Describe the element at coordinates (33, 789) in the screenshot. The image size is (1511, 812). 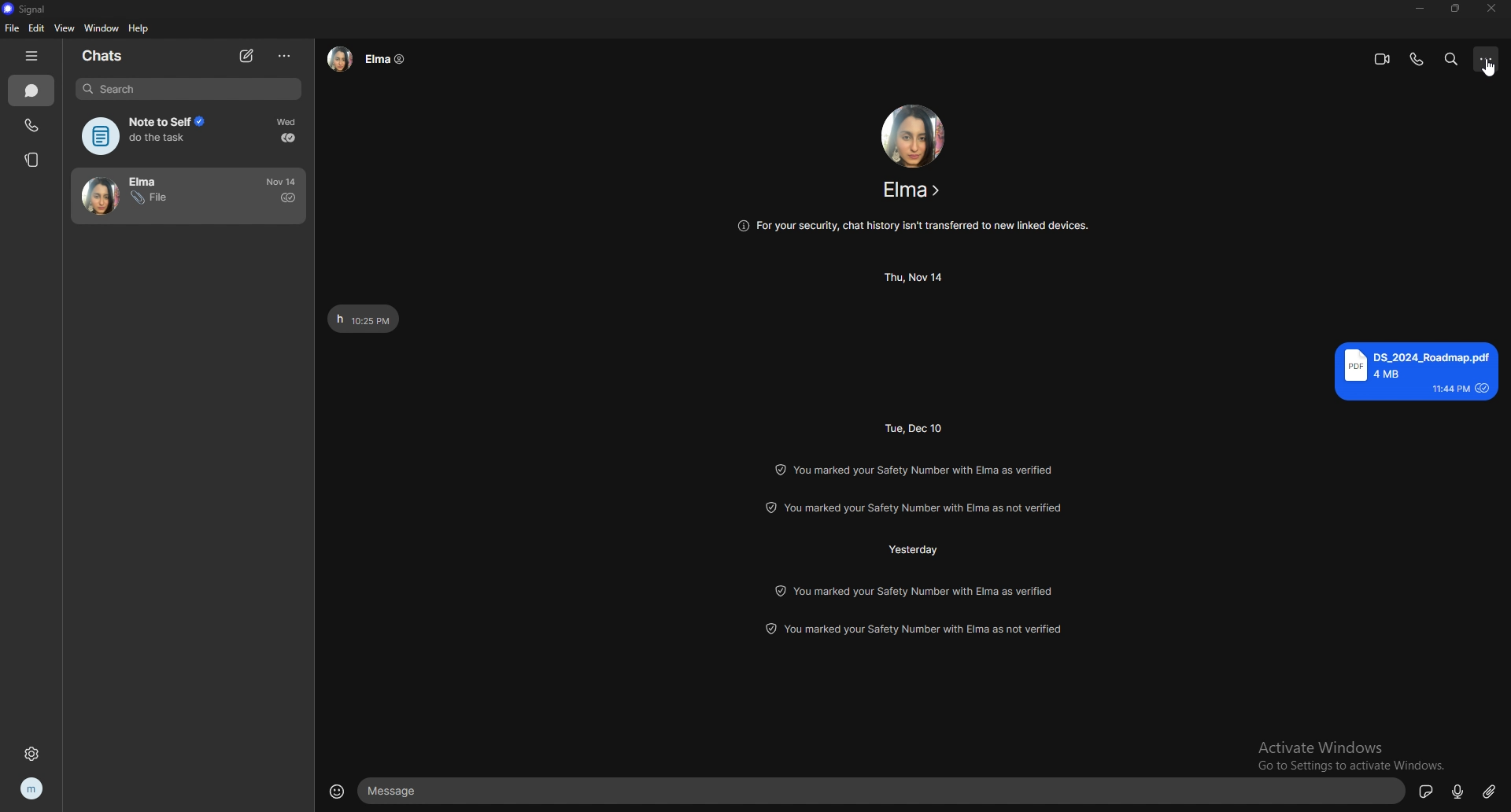
I see `profile` at that location.